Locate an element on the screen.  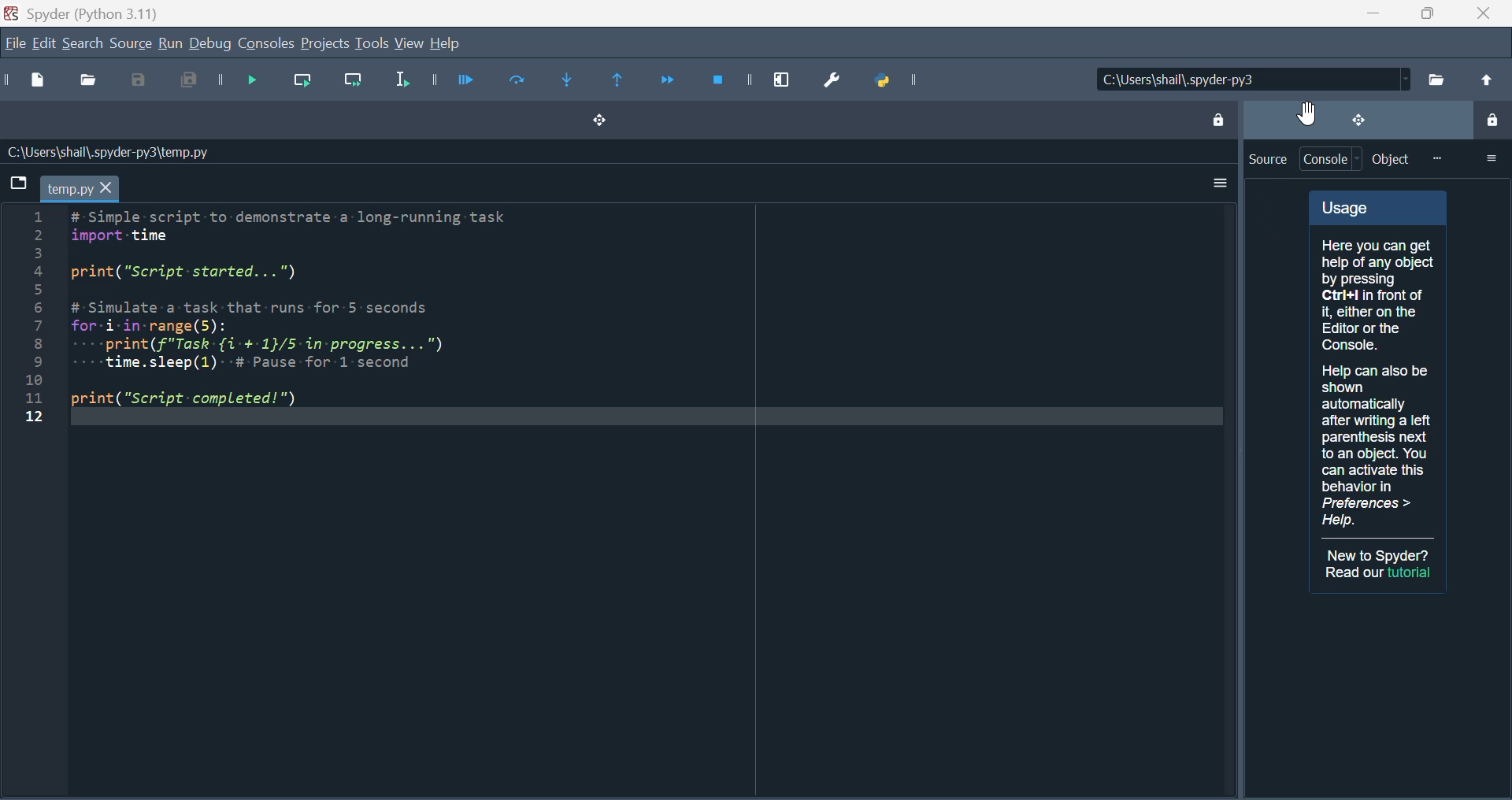
Execute until same function returns is located at coordinates (620, 82).